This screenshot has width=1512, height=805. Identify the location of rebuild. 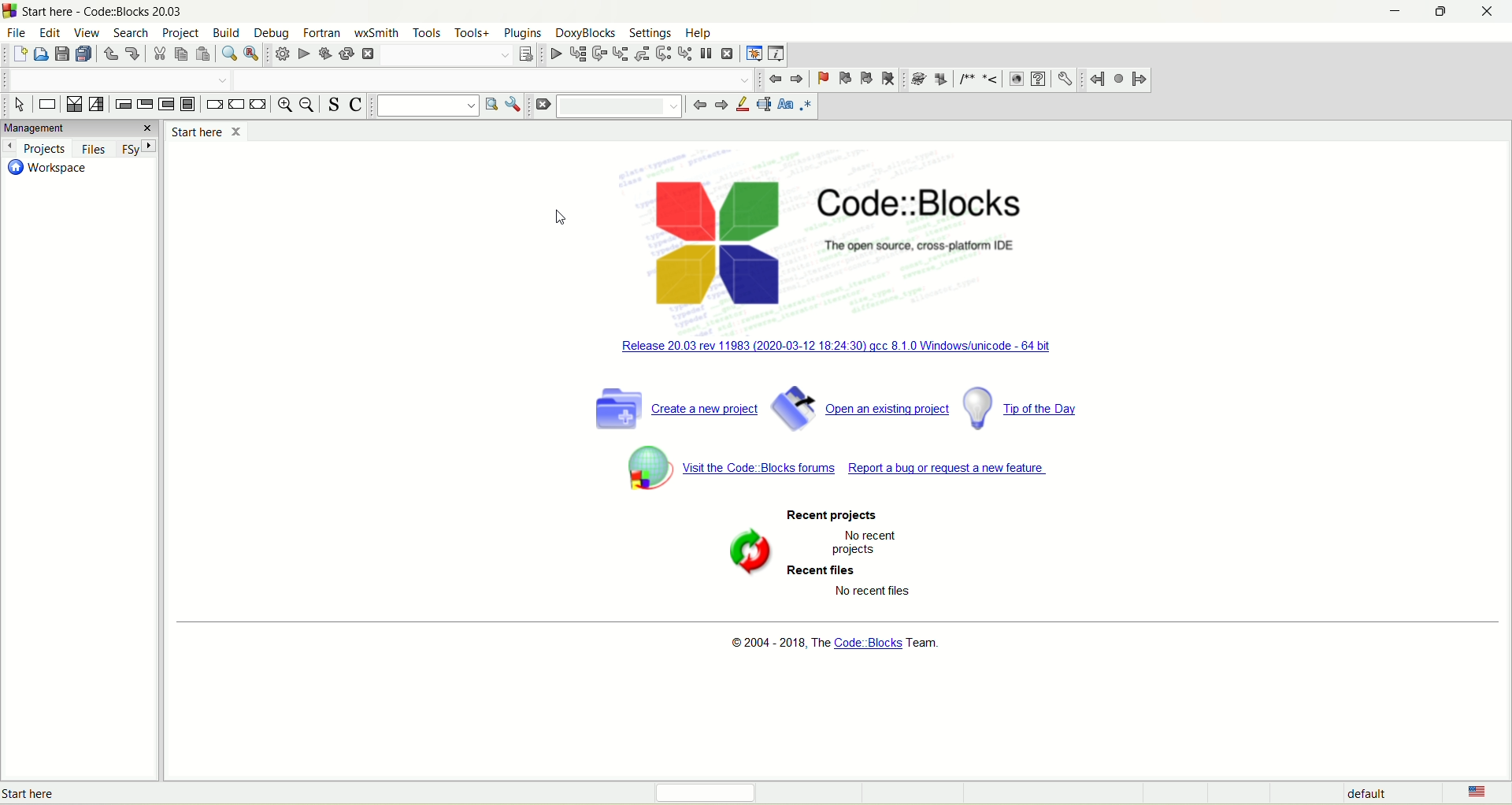
(344, 54).